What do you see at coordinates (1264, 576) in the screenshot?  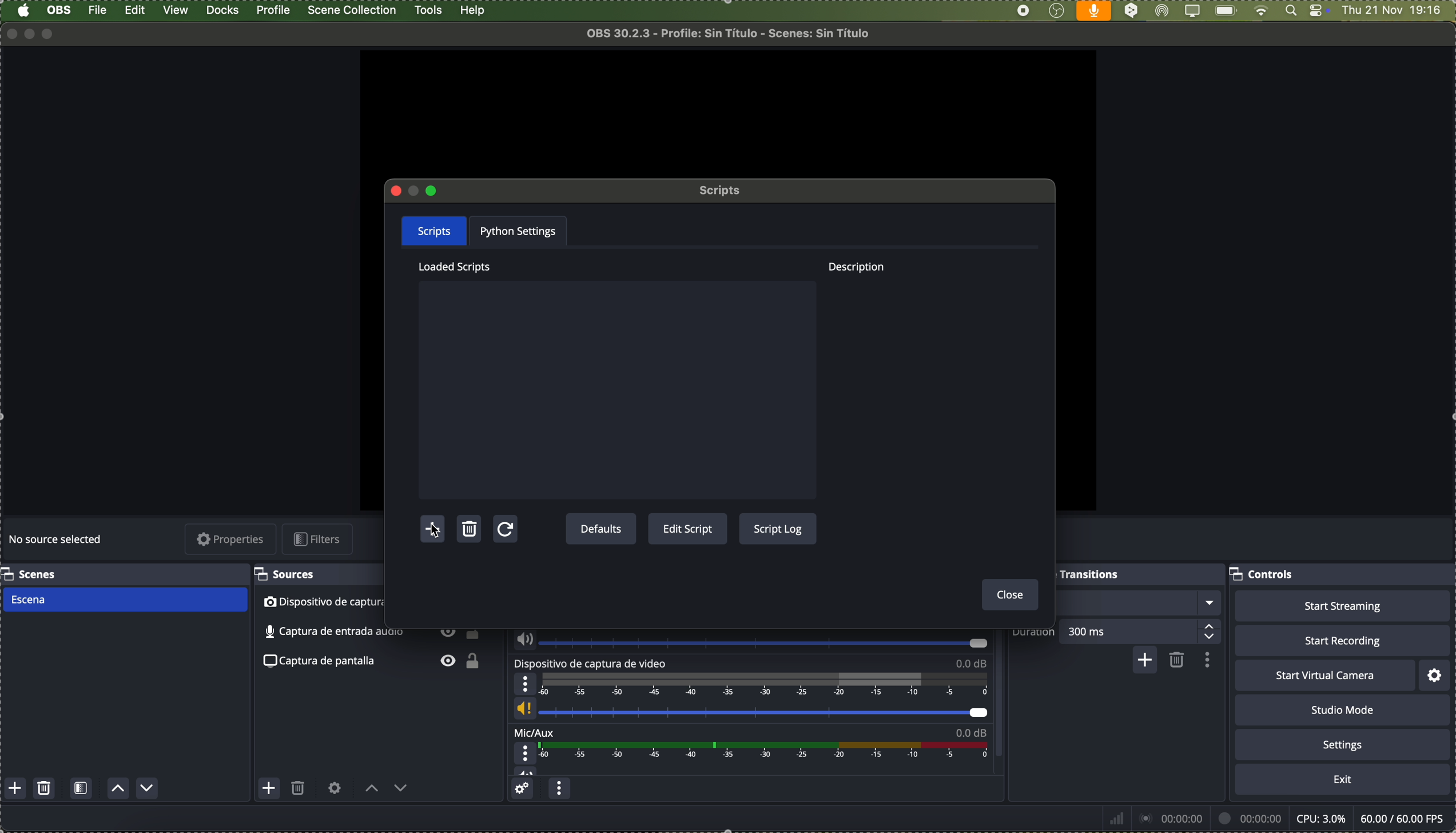 I see `controls` at bounding box center [1264, 576].